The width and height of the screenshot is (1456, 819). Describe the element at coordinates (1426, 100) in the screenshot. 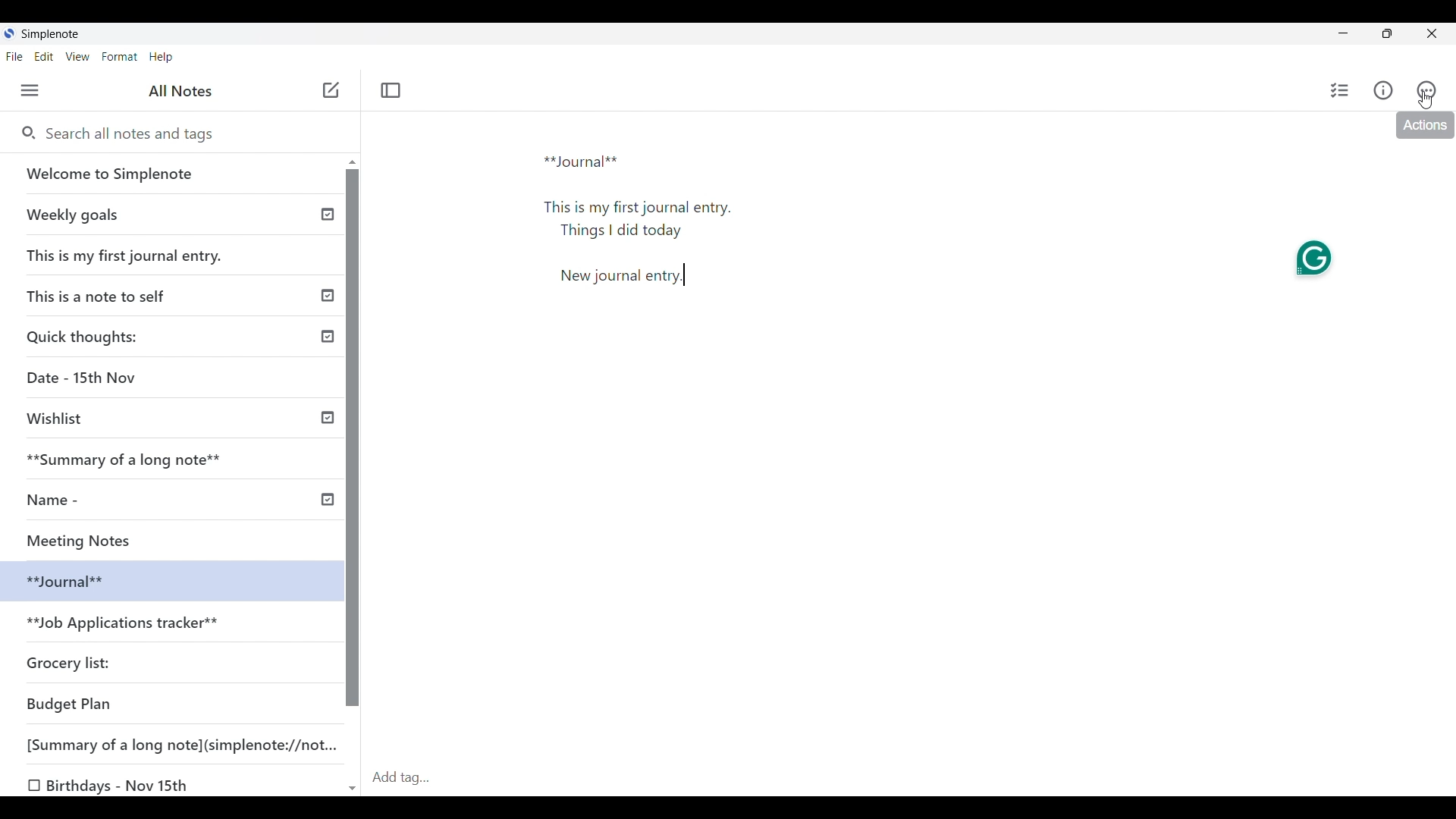

I see `Cursor clicking on Actions` at that location.